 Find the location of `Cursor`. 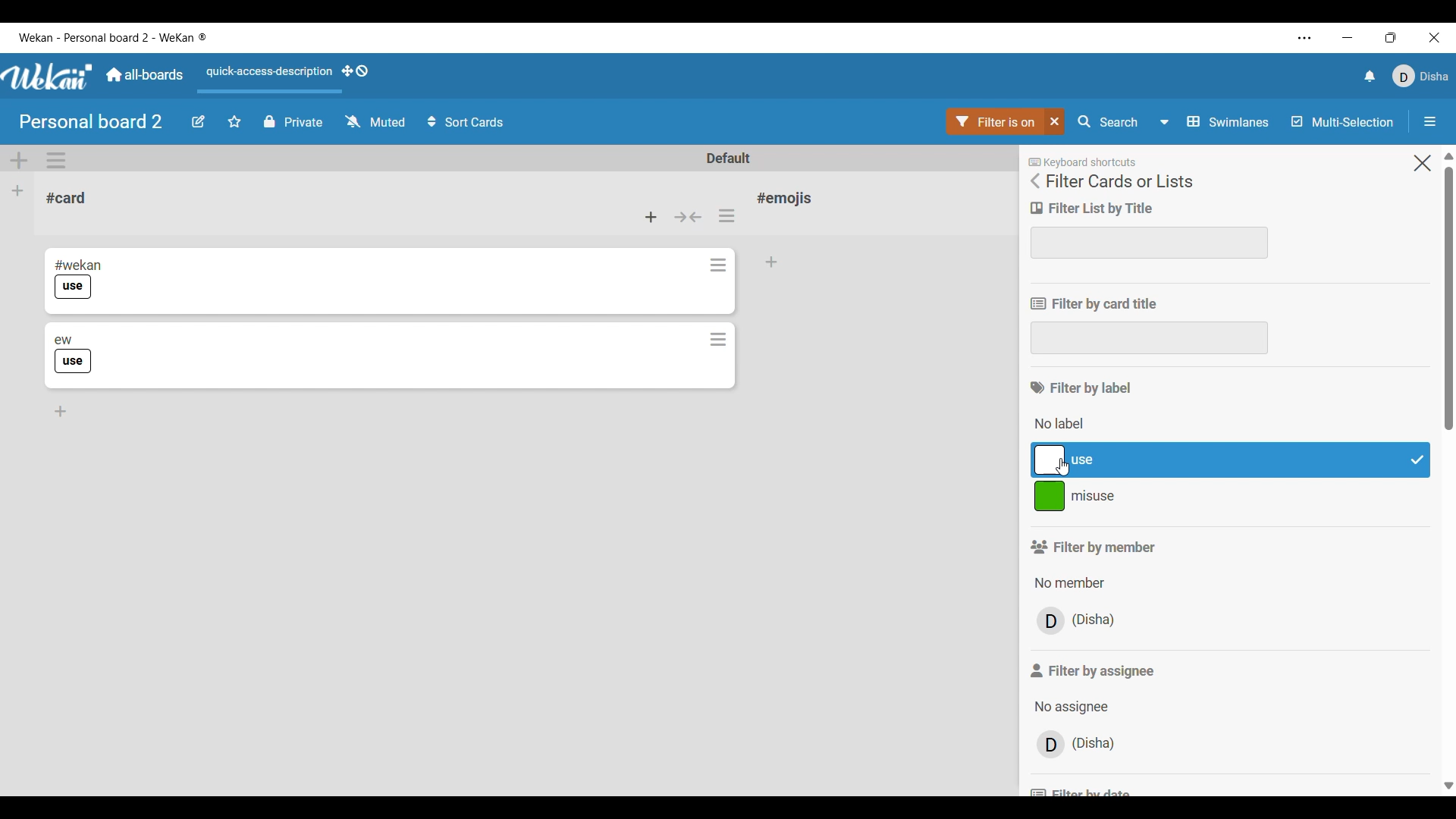

Cursor is located at coordinates (1066, 469).